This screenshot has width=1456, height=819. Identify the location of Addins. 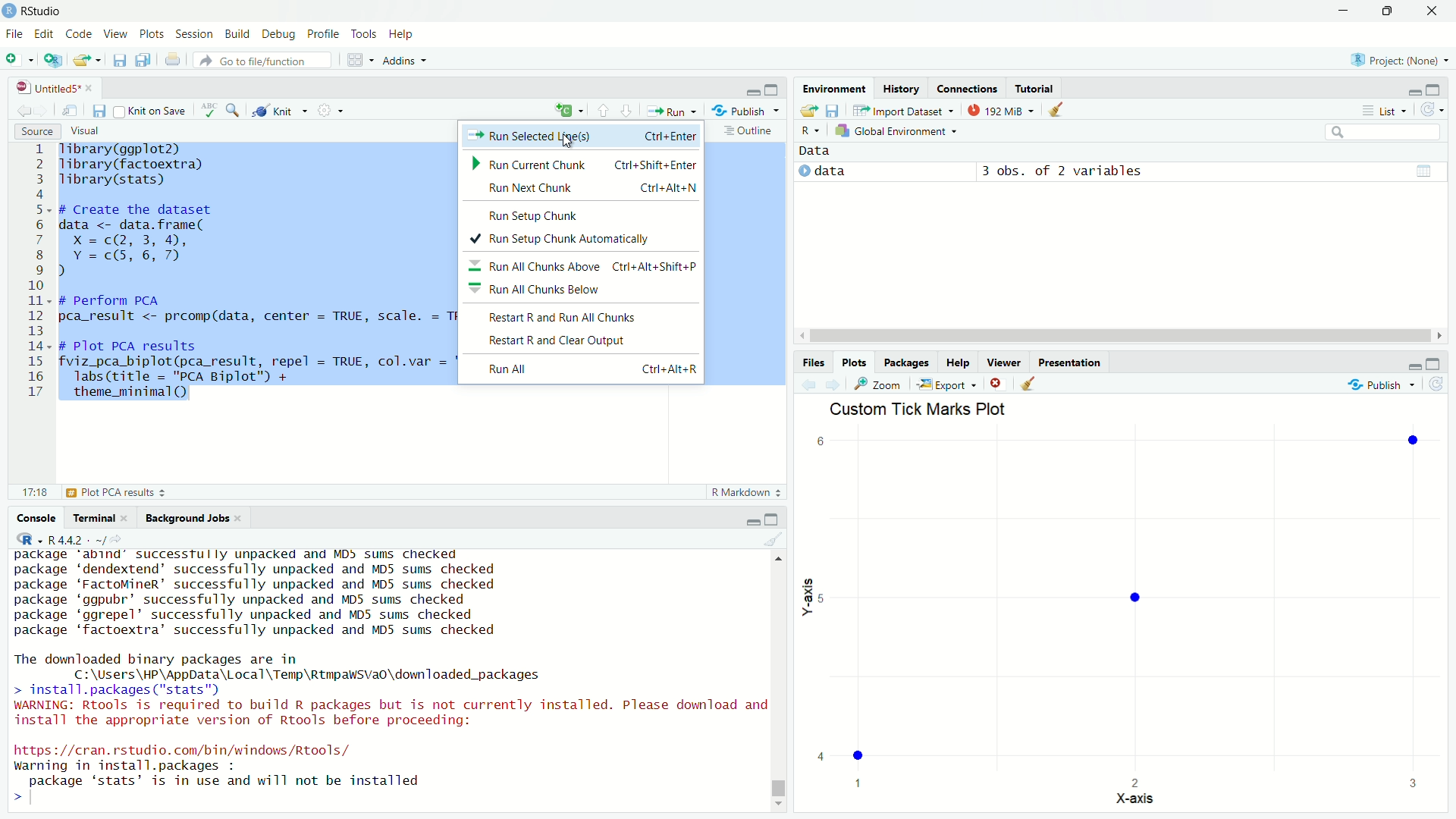
(405, 60).